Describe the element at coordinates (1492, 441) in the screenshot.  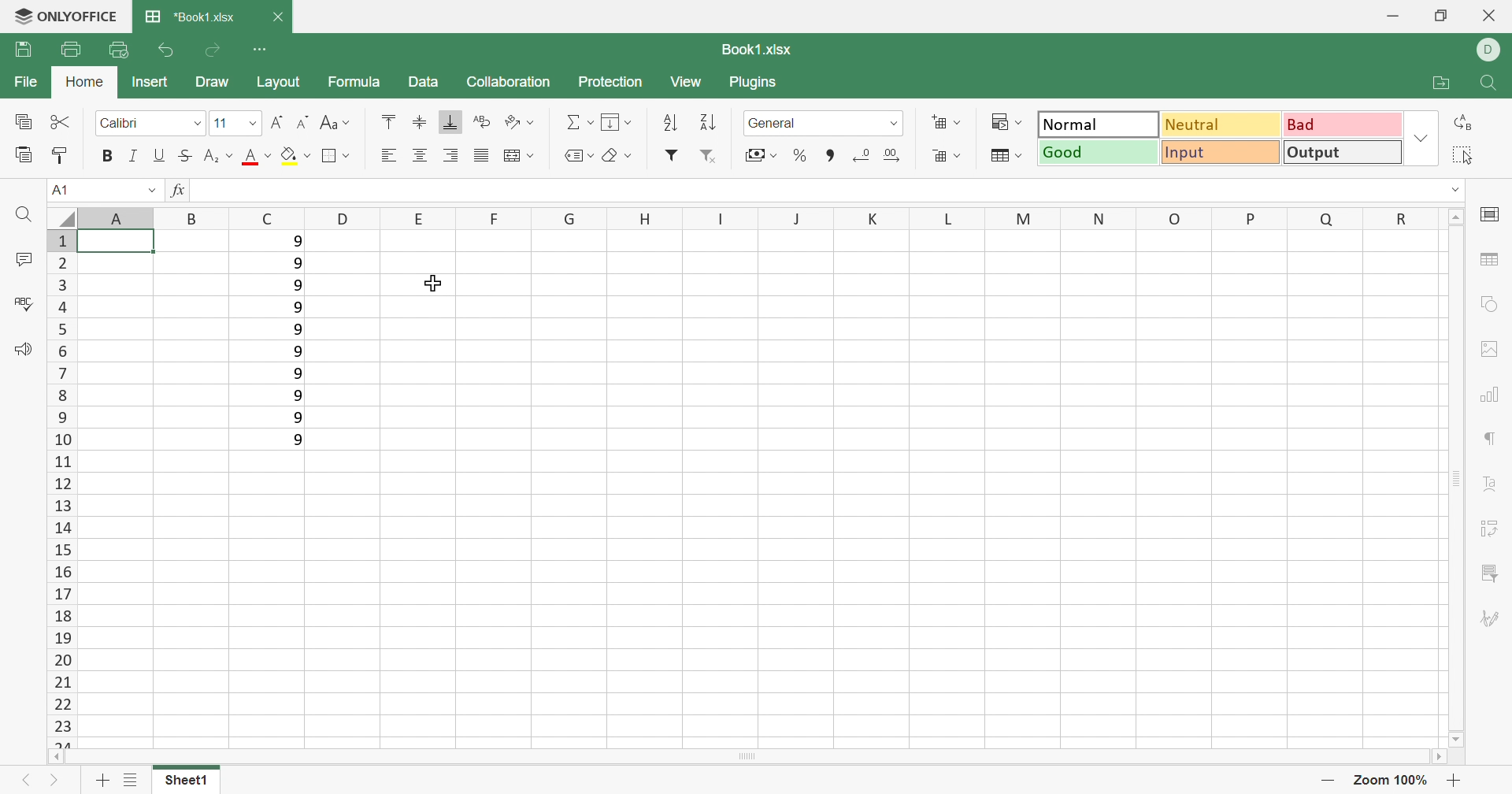
I see `Paragraph settings` at that location.